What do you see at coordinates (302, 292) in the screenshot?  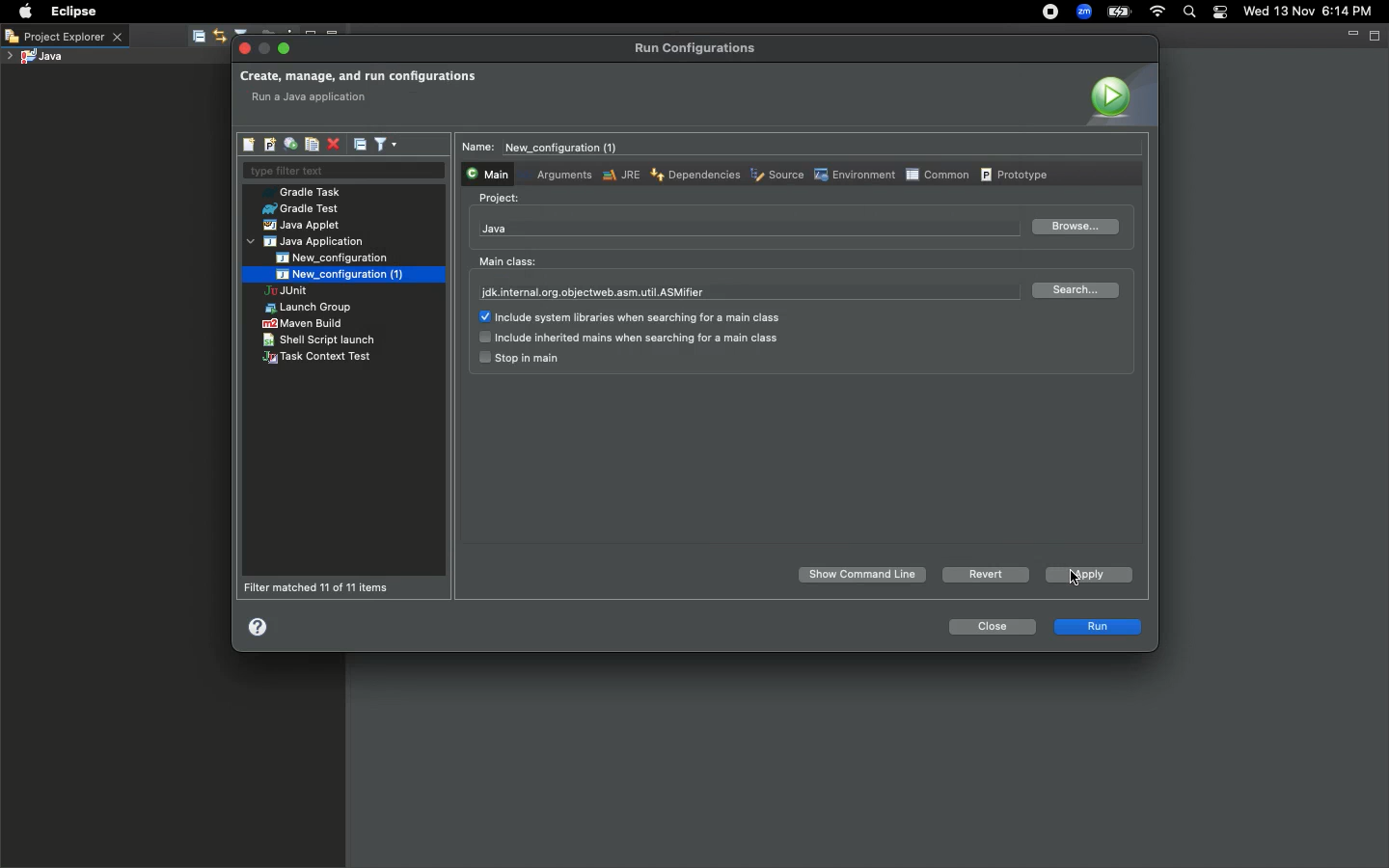 I see `JUnit` at bounding box center [302, 292].